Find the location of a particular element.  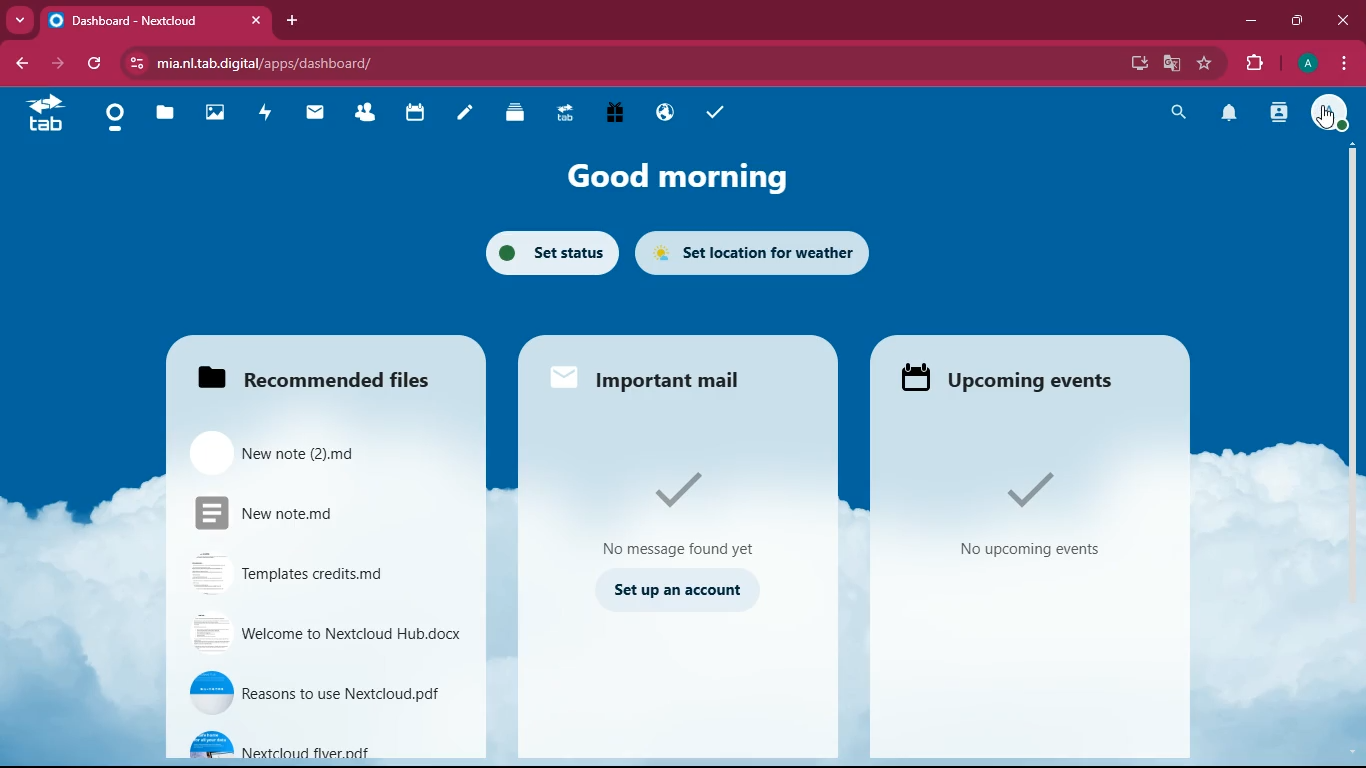

notifications is located at coordinates (1229, 114).